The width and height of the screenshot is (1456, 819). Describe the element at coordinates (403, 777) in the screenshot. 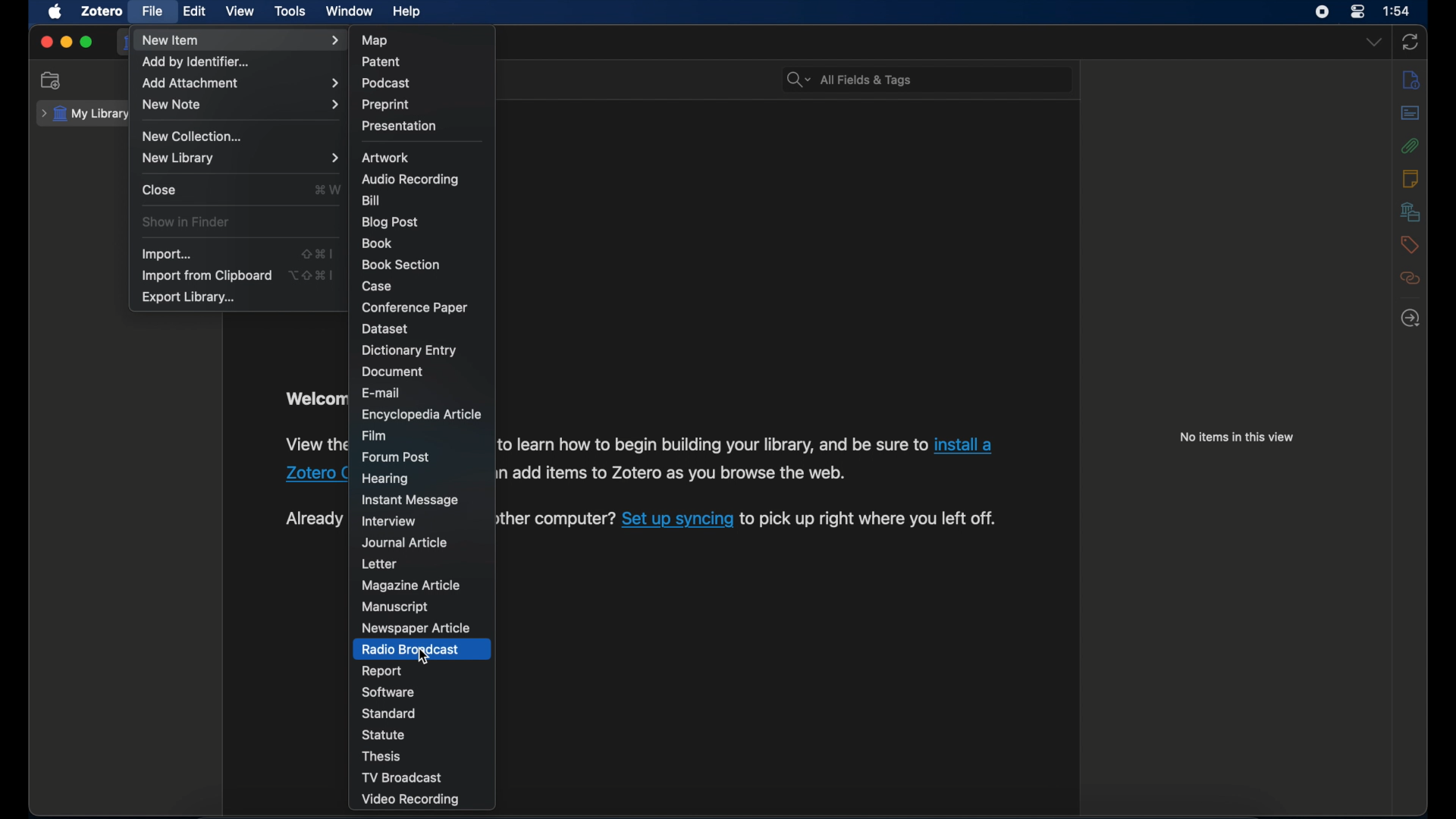

I see `tv broadcast` at that location.